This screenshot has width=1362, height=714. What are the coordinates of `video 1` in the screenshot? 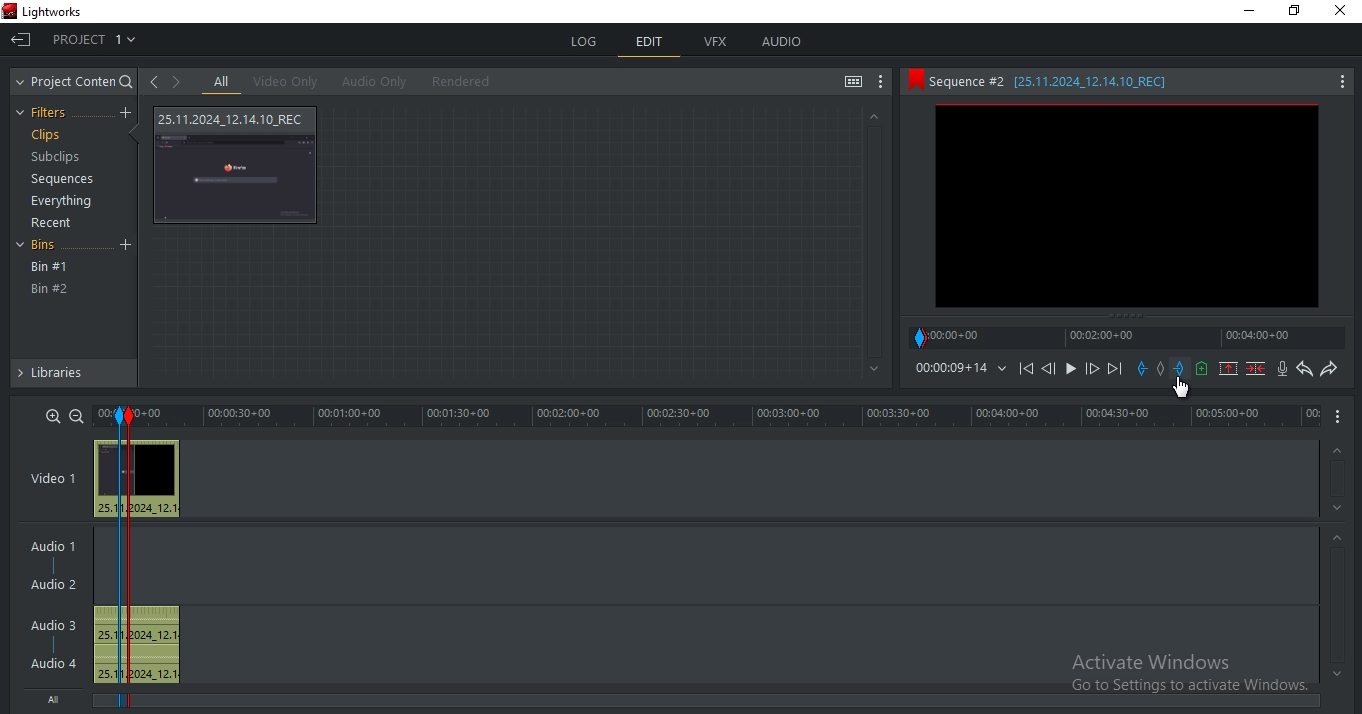 It's located at (53, 476).